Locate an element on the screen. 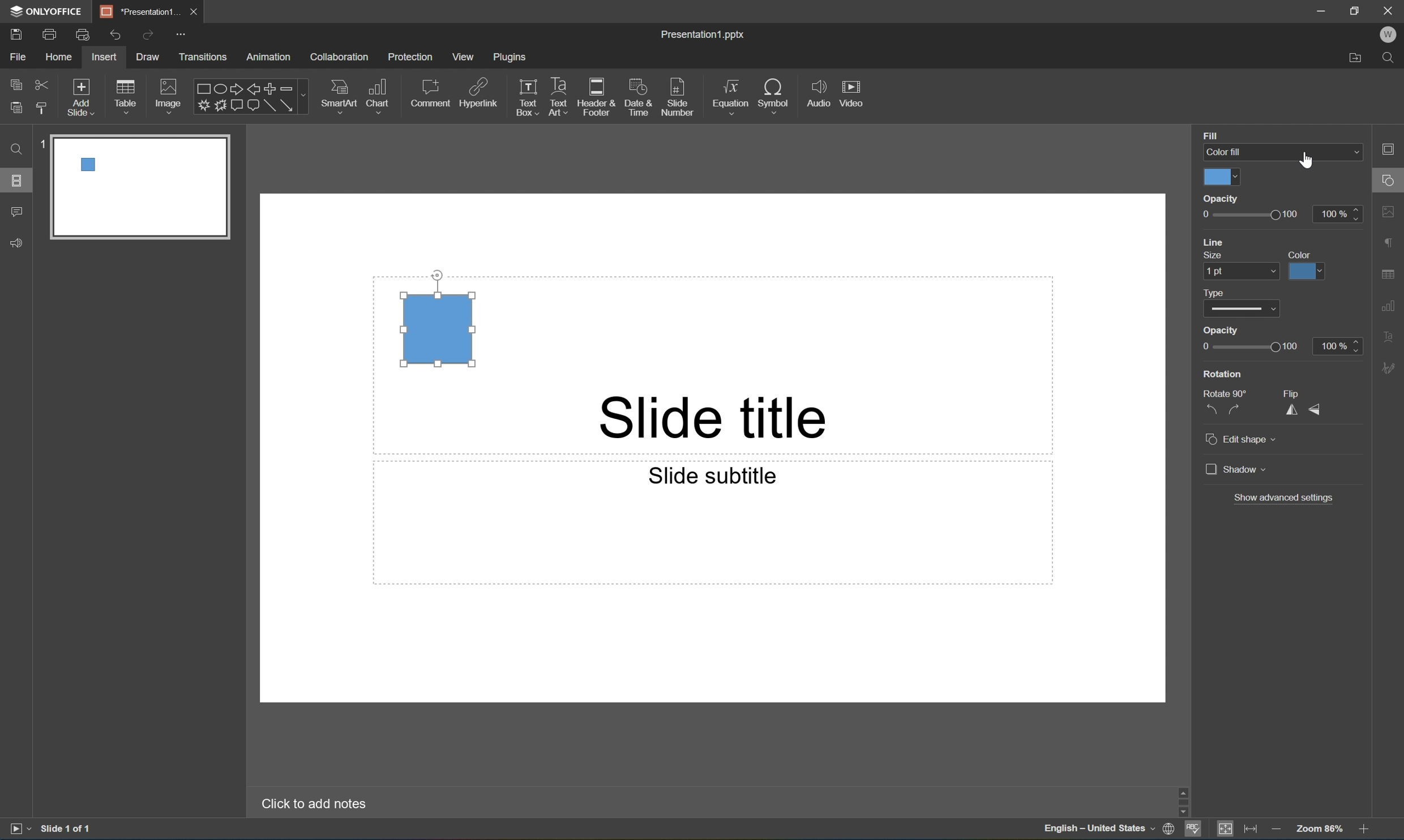 Image resolution: width=1404 pixels, height=840 pixels. Signature settings is located at coordinates (1391, 368).